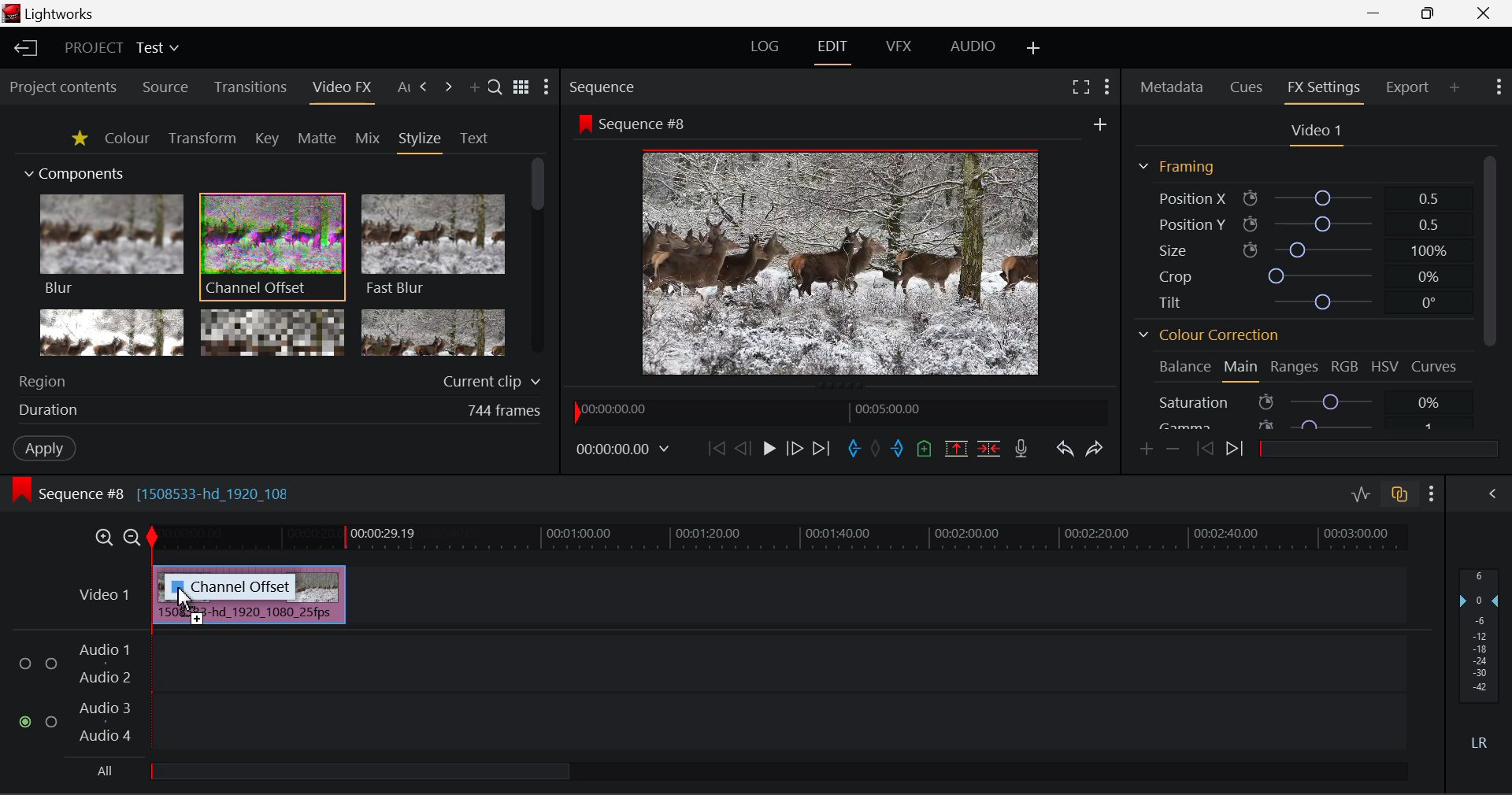 The width and height of the screenshot is (1512, 795). What do you see at coordinates (780, 540) in the screenshot?
I see `Project Timeline Track` at bounding box center [780, 540].